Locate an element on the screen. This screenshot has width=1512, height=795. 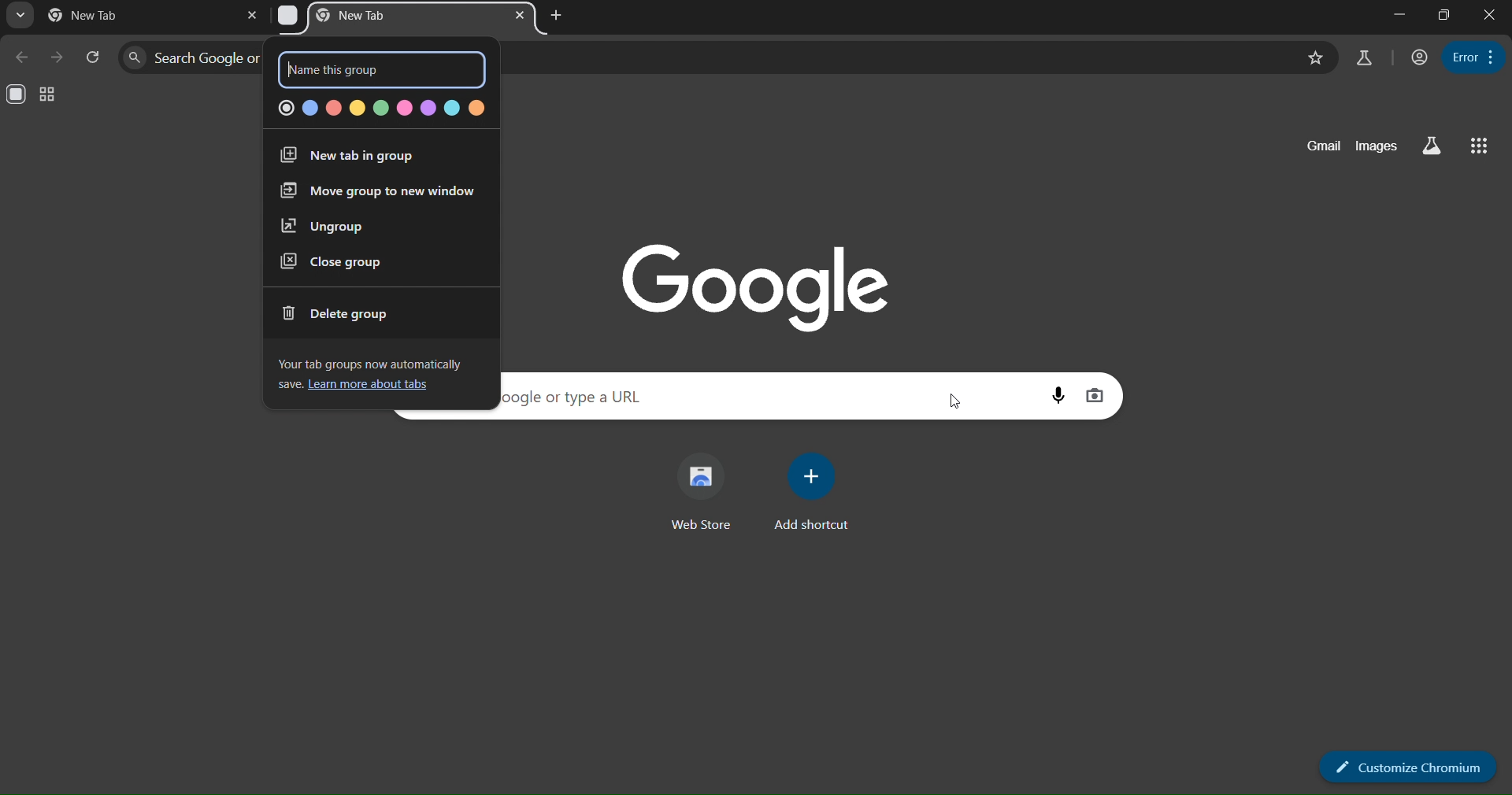
search labs is located at coordinates (1364, 59).